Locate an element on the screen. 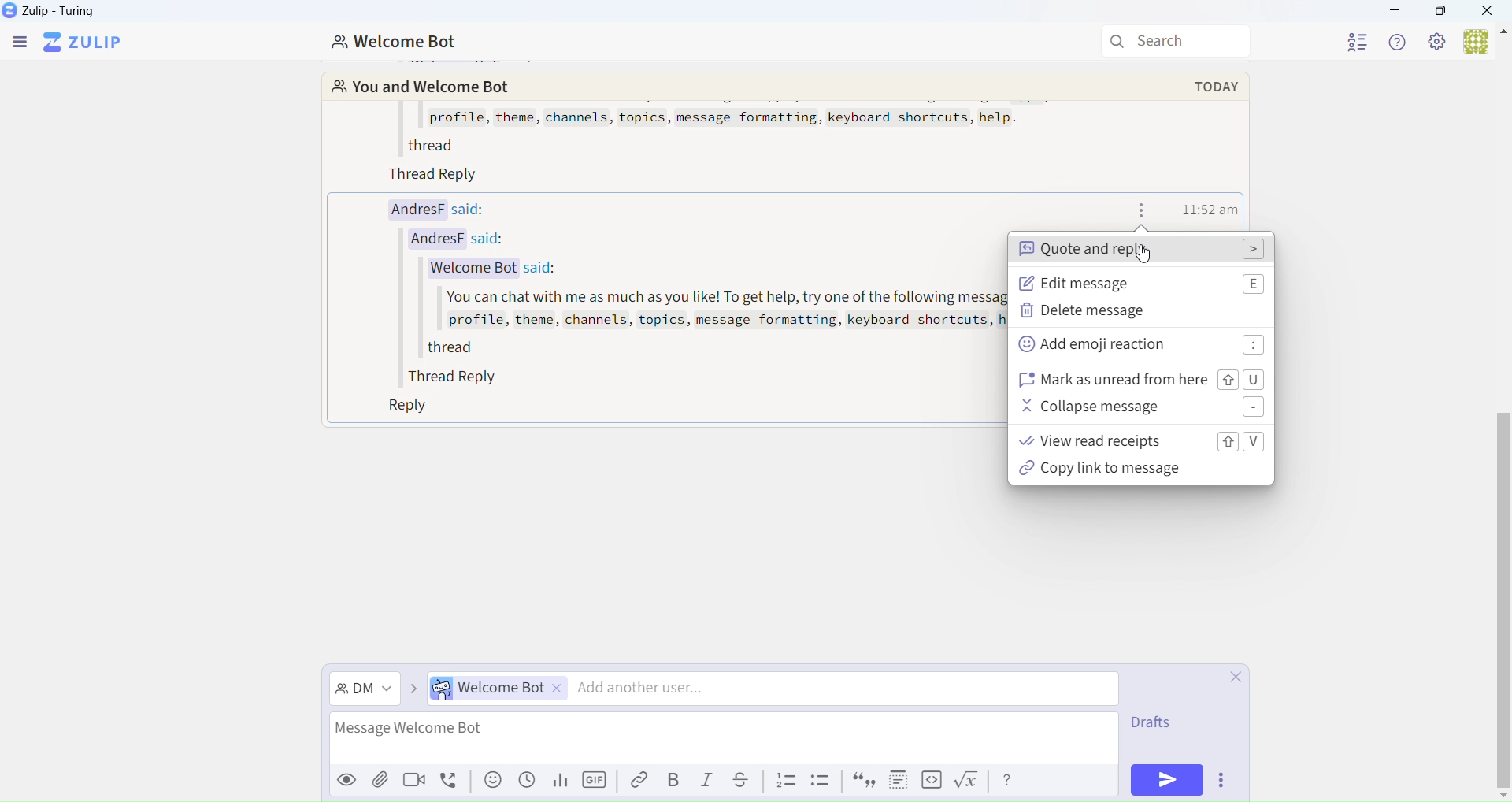 The image size is (1512, 802). Menu Bar is located at coordinates (20, 45).